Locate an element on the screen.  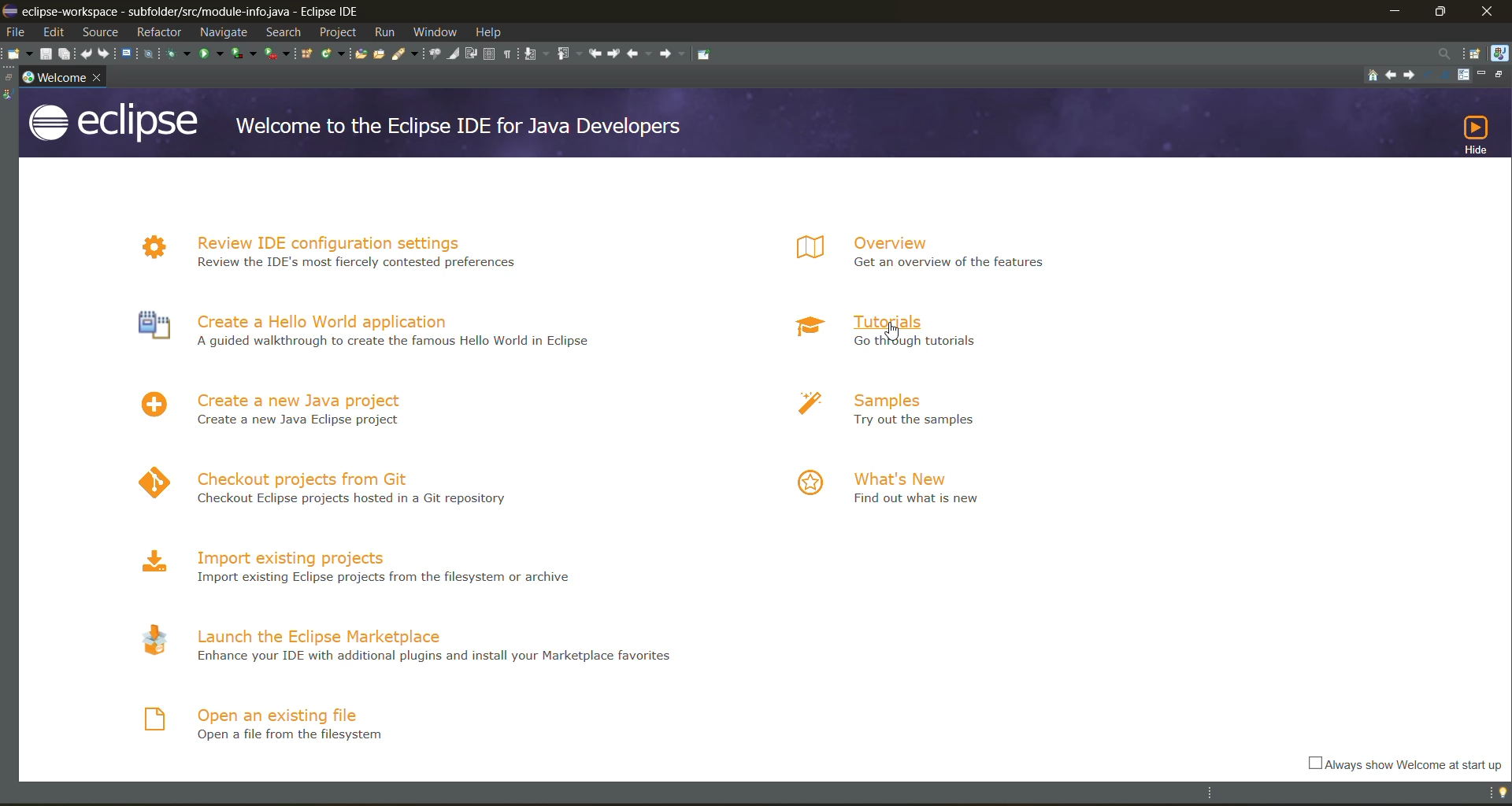
tutorials is located at coordinates (908, 332).